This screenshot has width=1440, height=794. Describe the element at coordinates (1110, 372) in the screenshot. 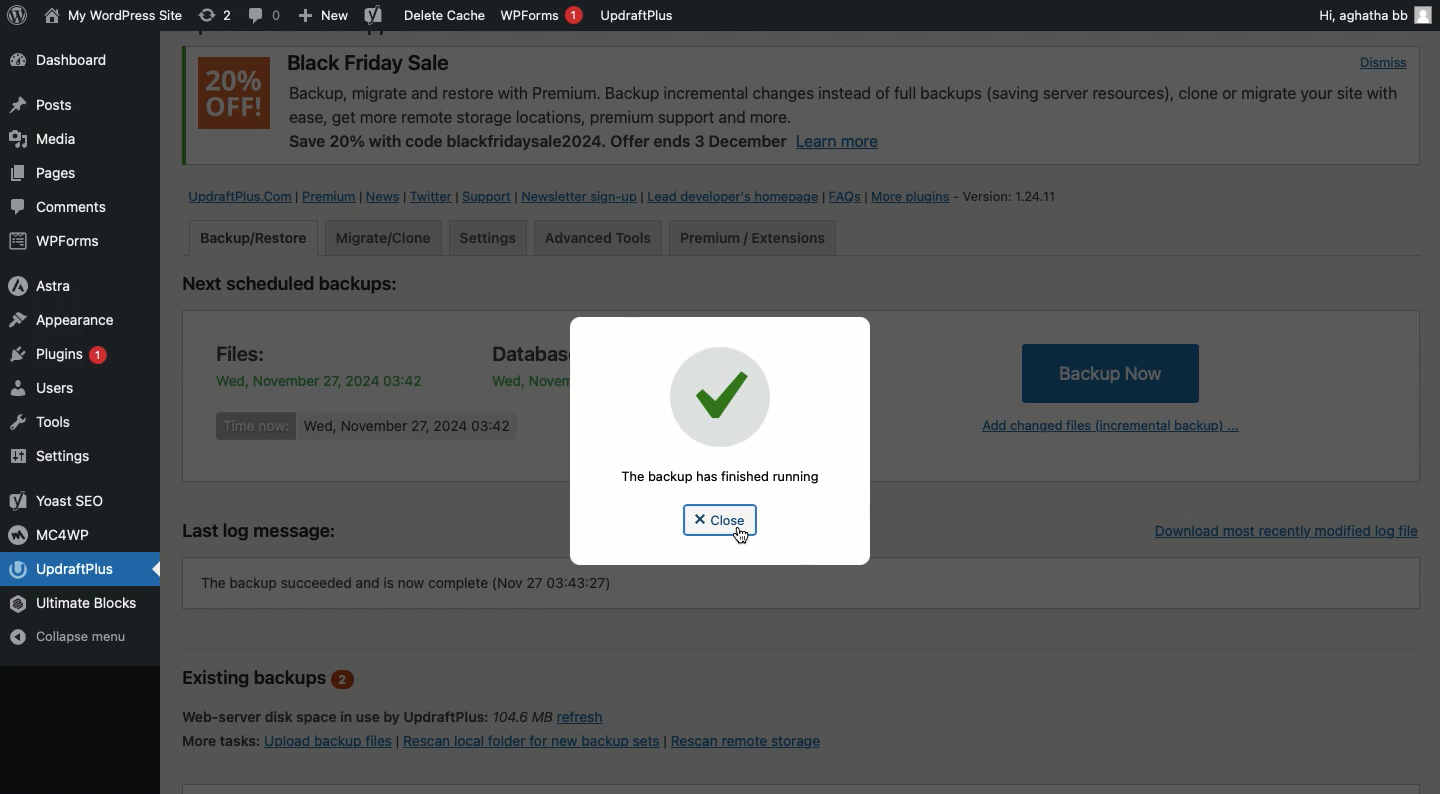

I see `Backup Now` at that location.